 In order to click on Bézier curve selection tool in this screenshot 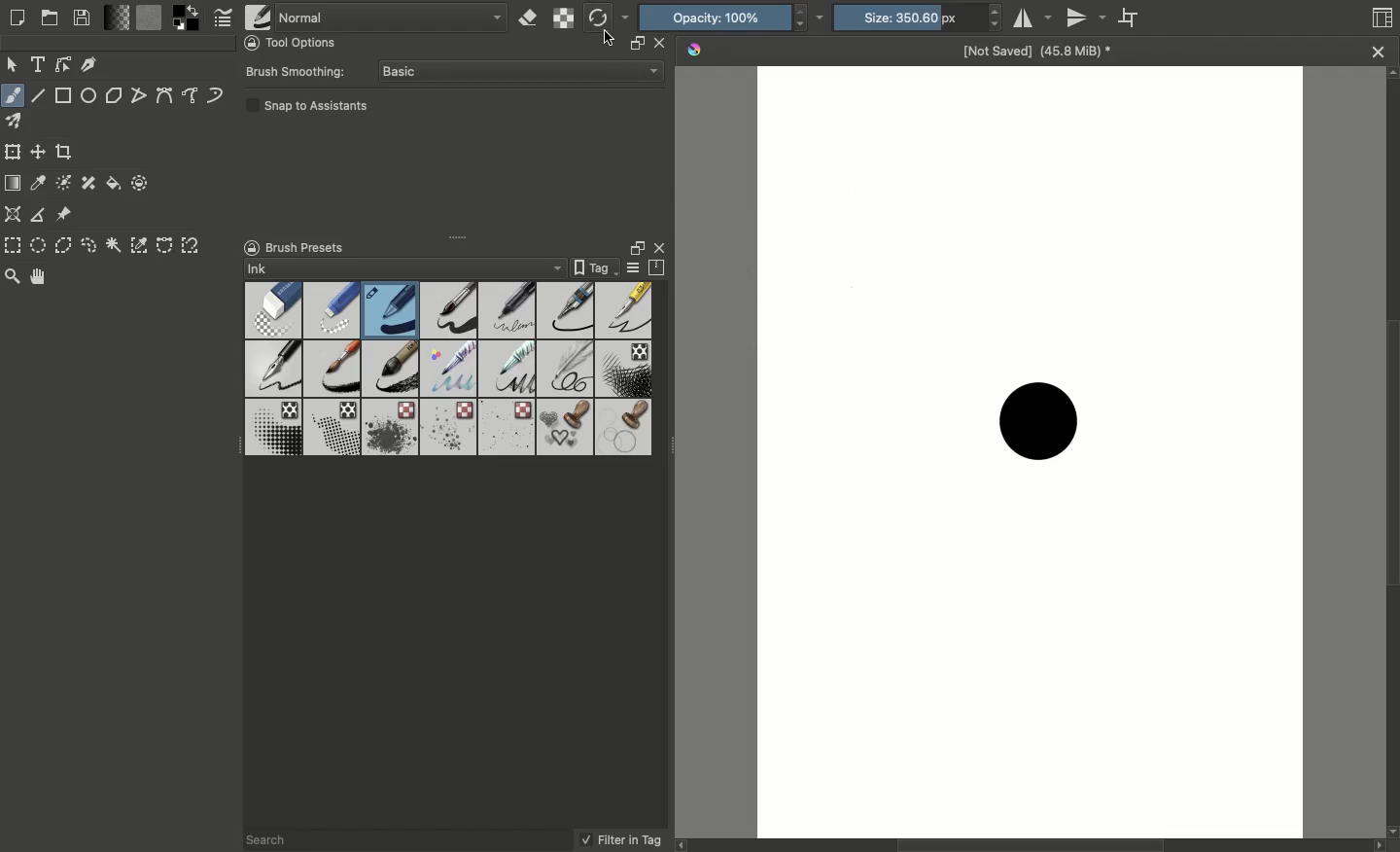, I will do `click(164, 248)`.